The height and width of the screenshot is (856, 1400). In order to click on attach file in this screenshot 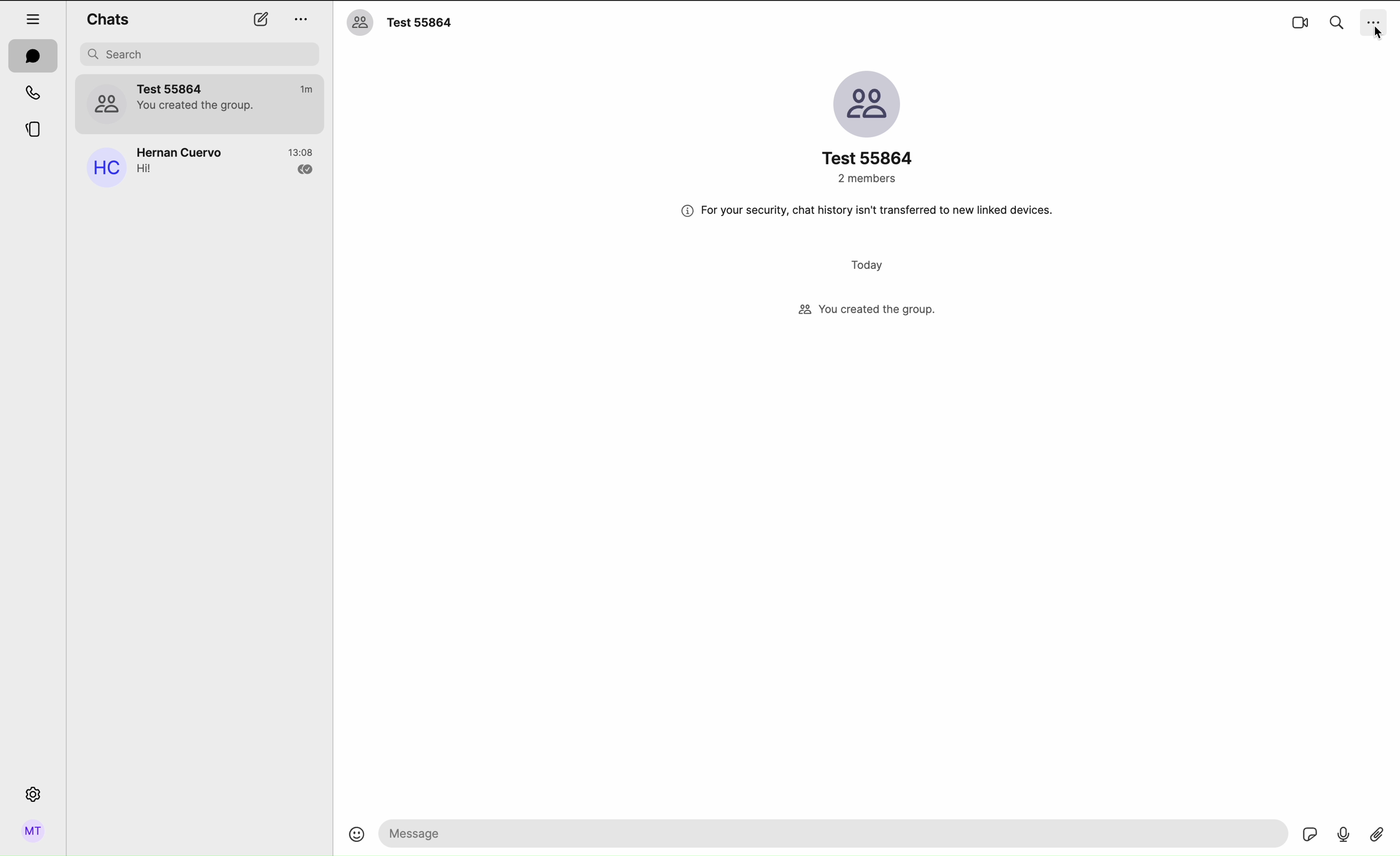, I will do `click(1376, 837)`.